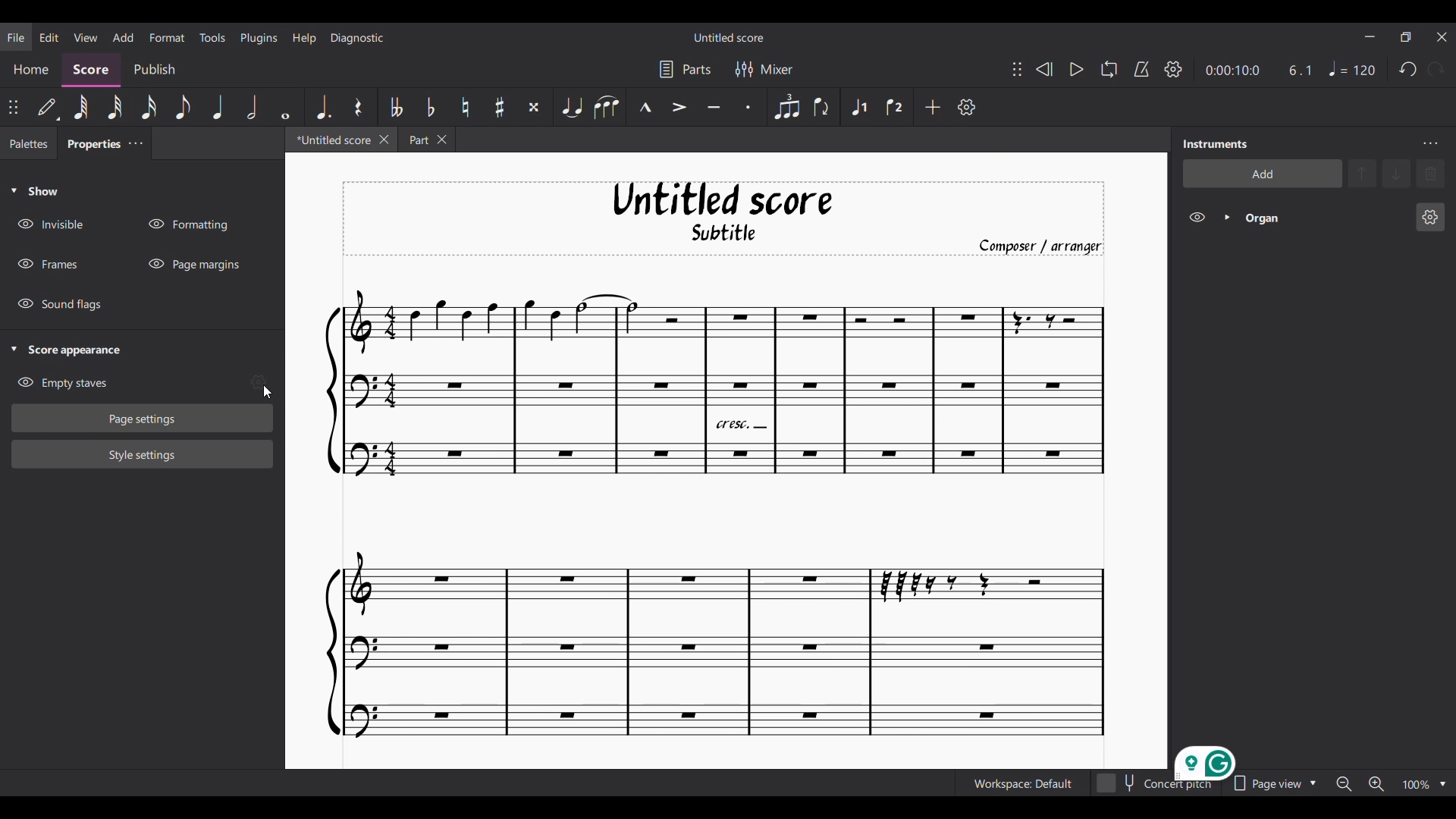 Image resolution: width=1456 pixels, height=819 pixels. What do you see at coordinates (183, 108) in the screenshot?
I see `8th note` at bounding box center [183, 108].